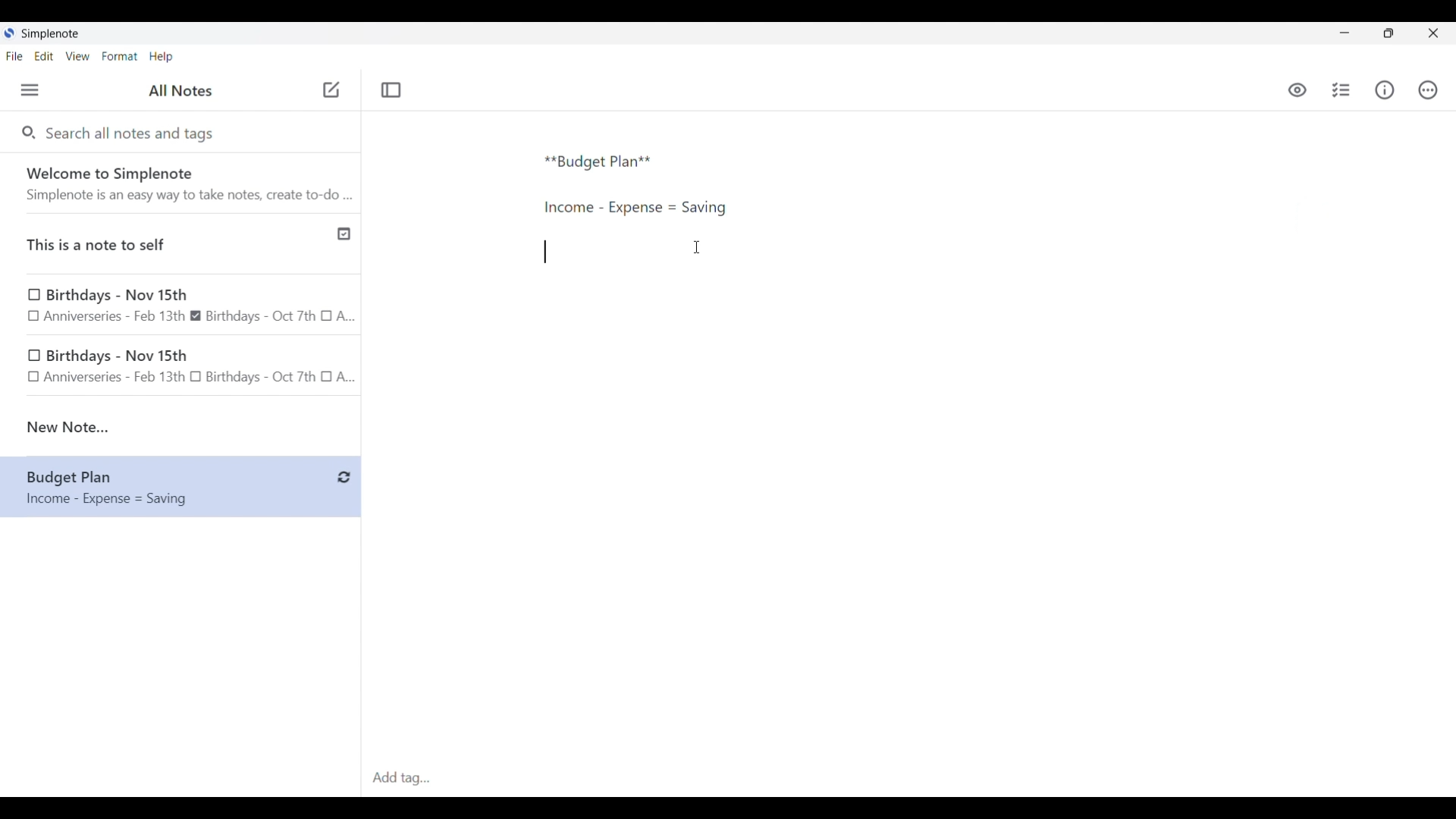  Describe the element at coordinates (1389, 33) in the screenshot. I see `Show interface in a smaller tab` at that location.